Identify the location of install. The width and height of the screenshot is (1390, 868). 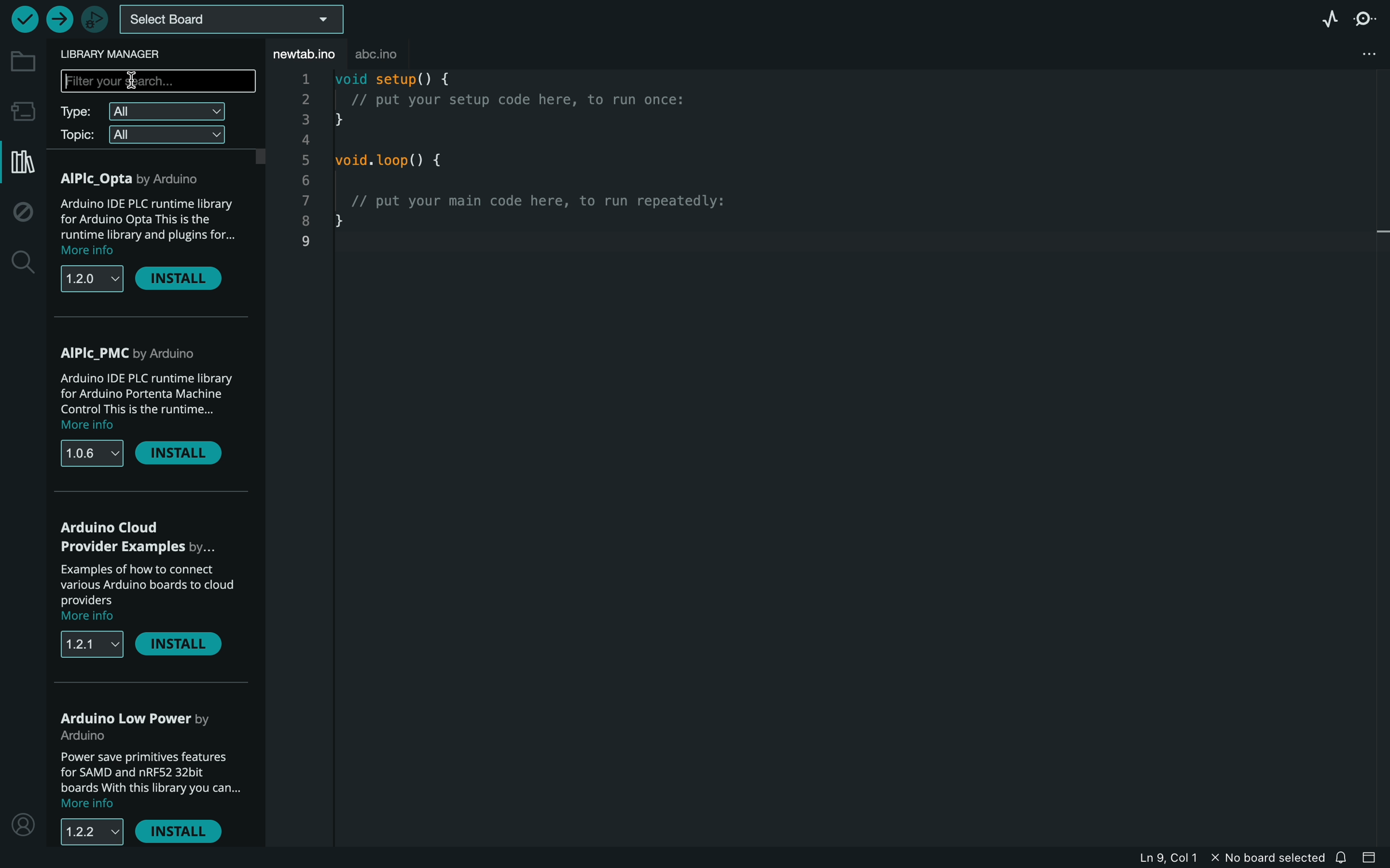
(179, 453).